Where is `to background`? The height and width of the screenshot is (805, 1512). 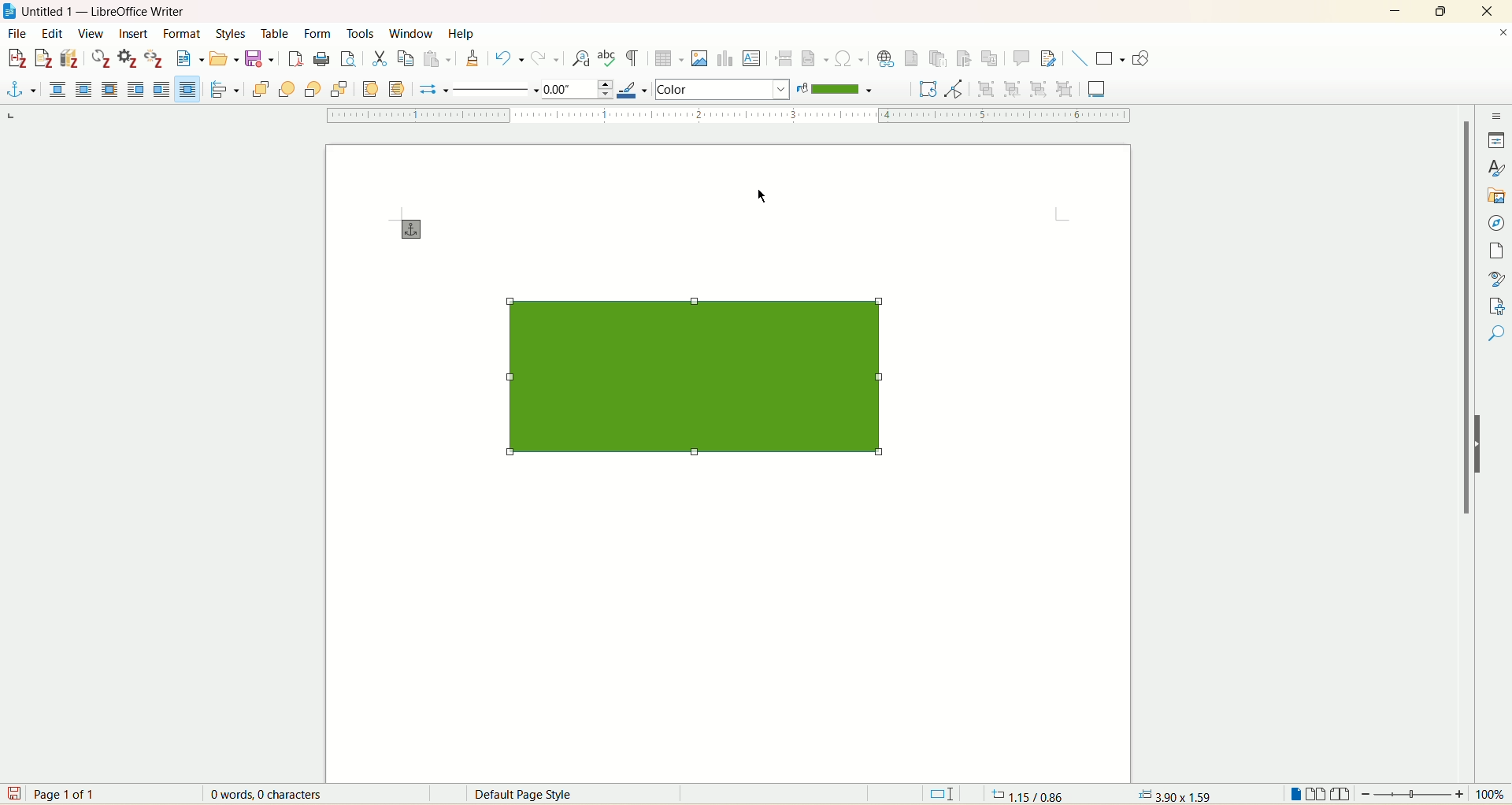
to background is located at coordinates (399, 89).